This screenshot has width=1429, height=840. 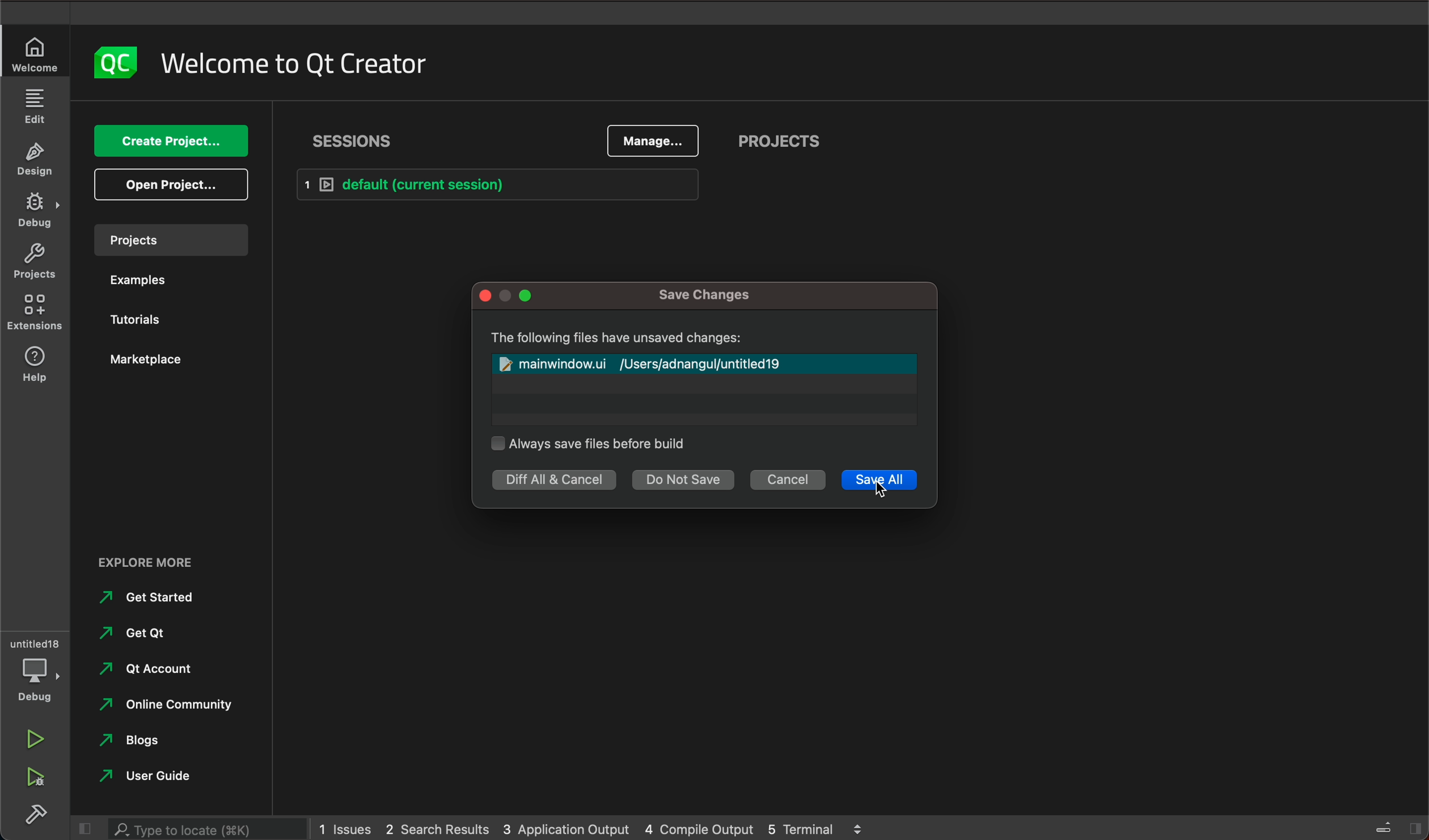 I want to click on 2 search result, so click(x=436, y=830).